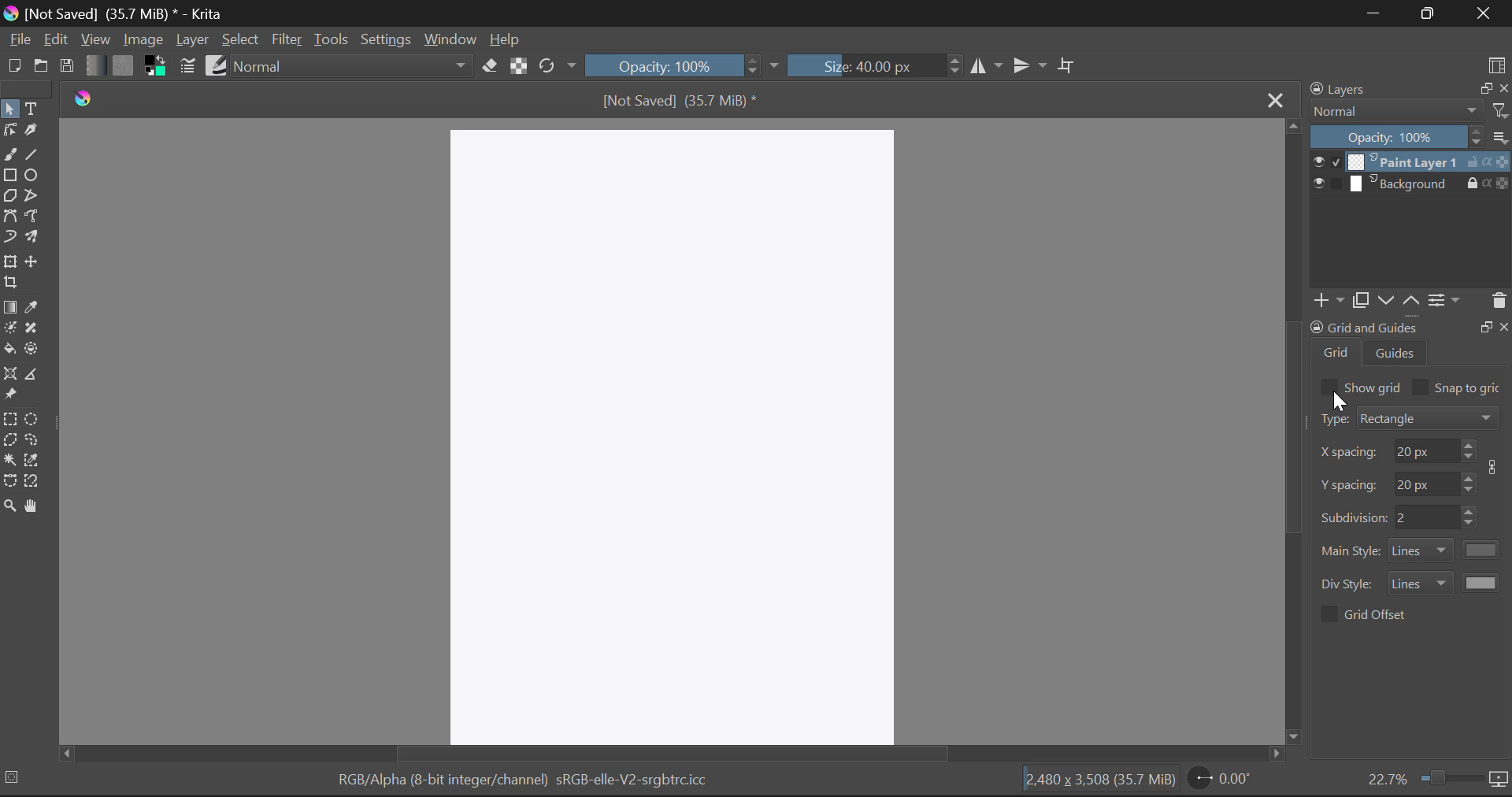 The width and height of the screenshot is (1512, 797). I want to click on show/hide, so click(1326, 183).